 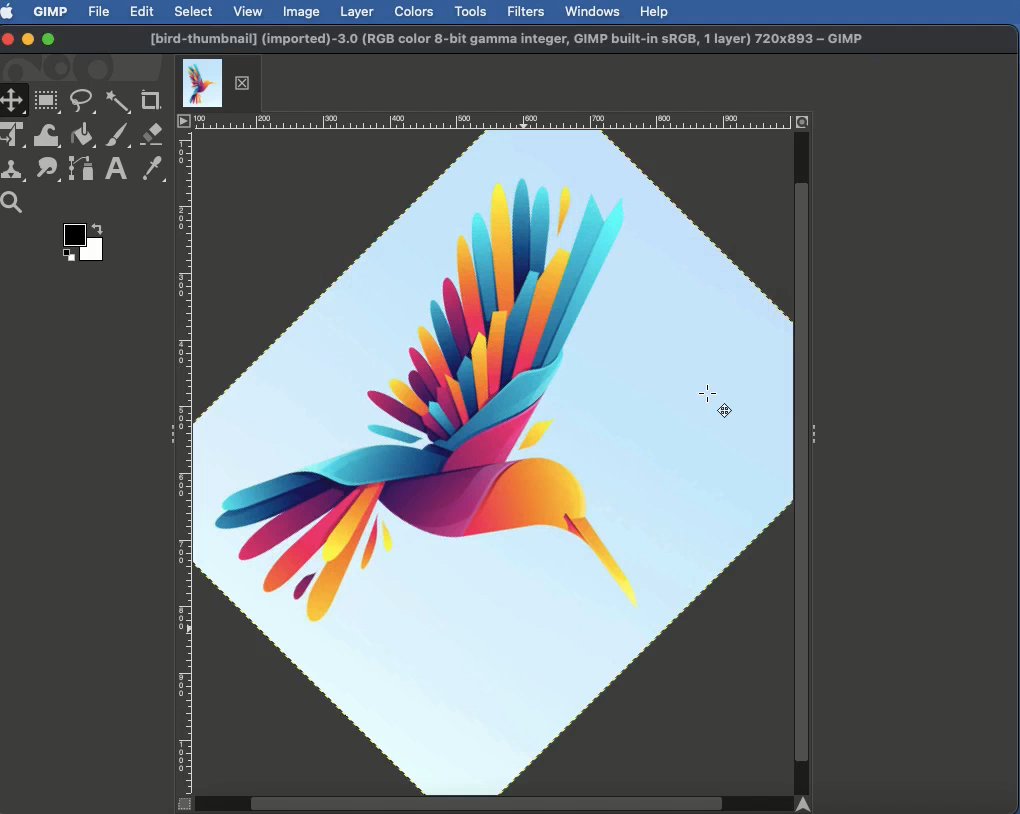 I want to click on rotated Image, so click(x=494, y=459).